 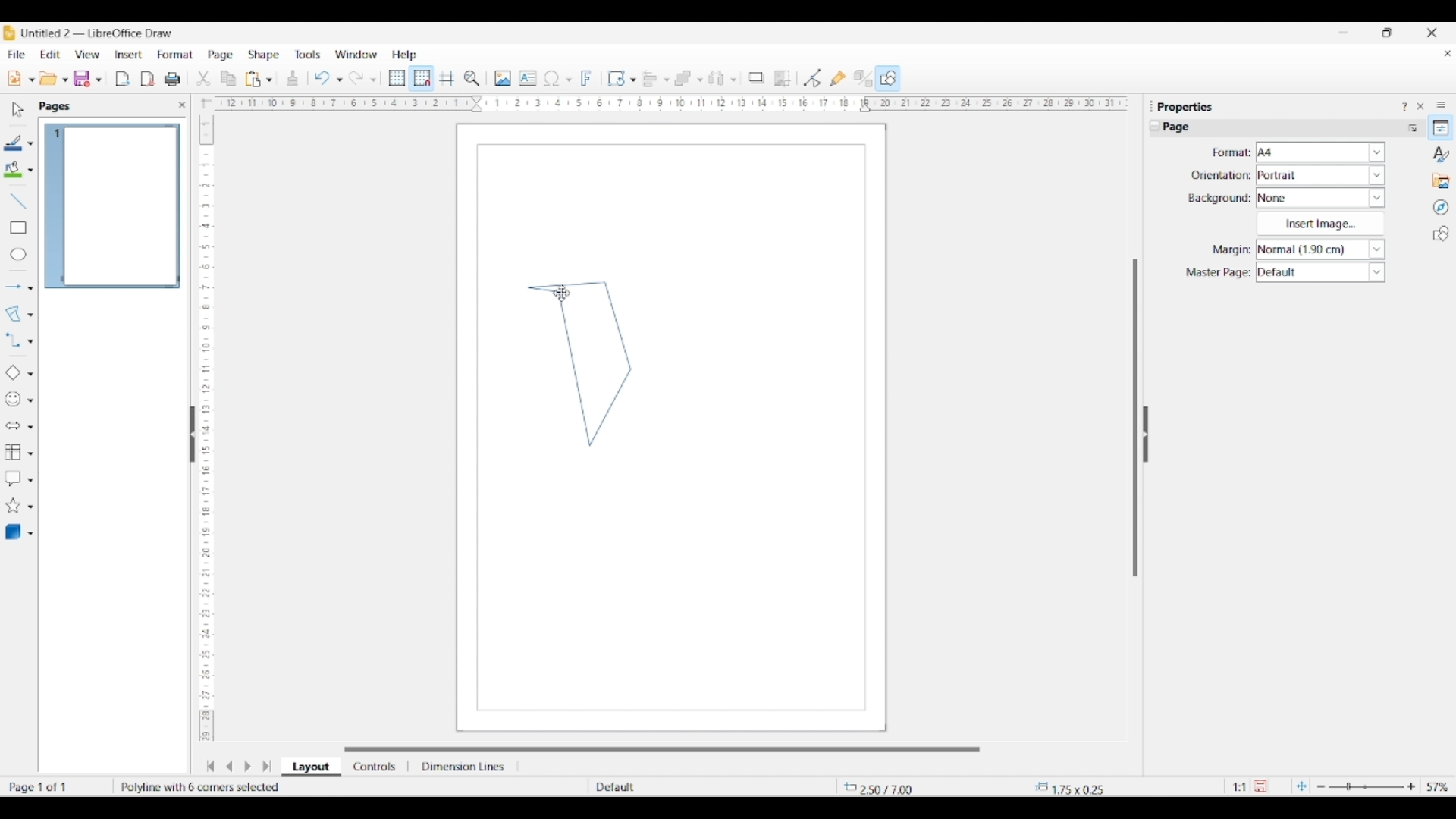 What do you see at coordinates (30, 341) in the screenshot?
I see `Connector options` at bounding box center [30, 341].